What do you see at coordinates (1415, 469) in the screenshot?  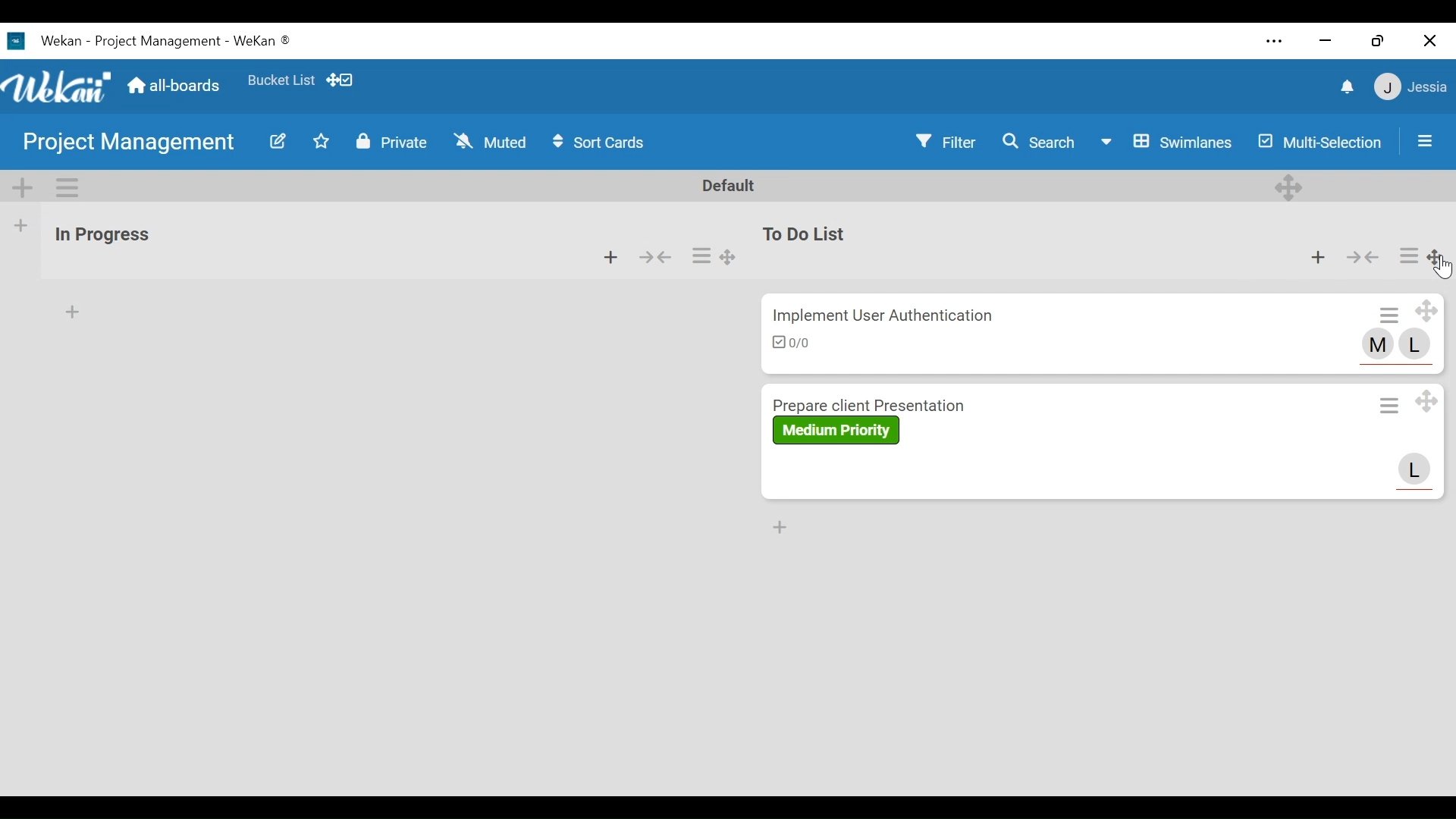 I see `L` at bounding box center [1415, 469].